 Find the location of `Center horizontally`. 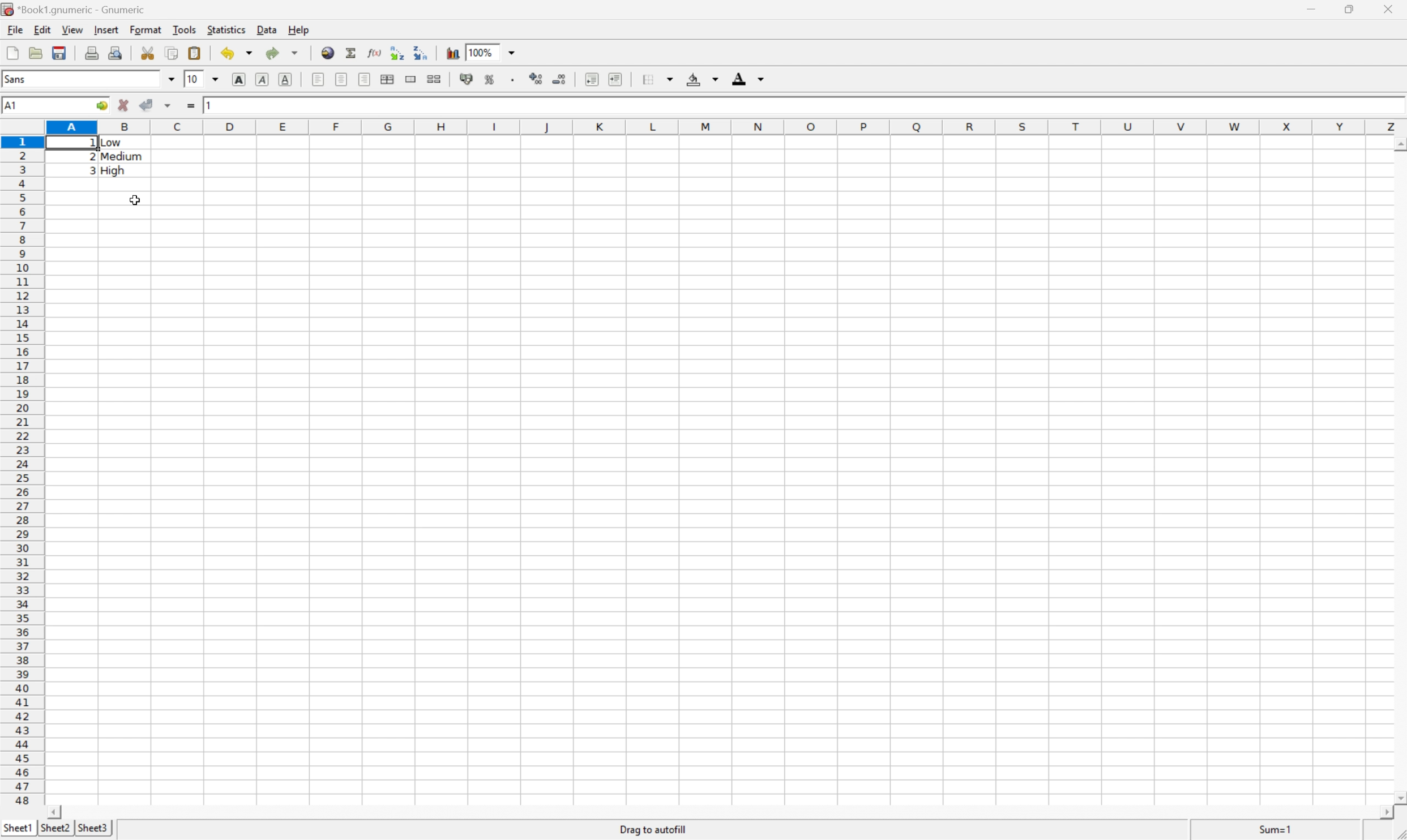

Center horizontally is located at coordinates (342, 78).